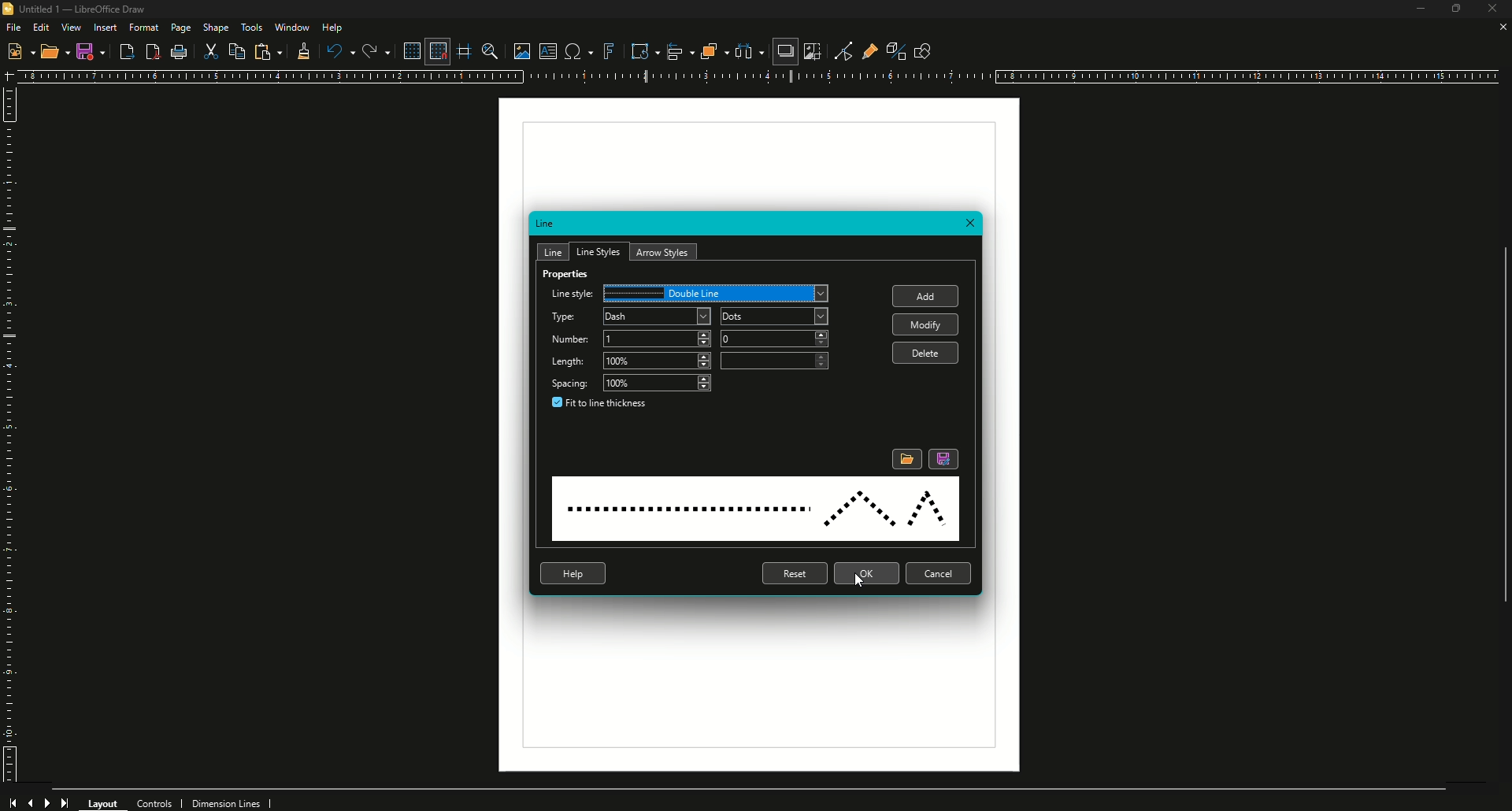 The height and width of the screenshot is (811, 1512). I want to click on scroll, so click(1497, 437).